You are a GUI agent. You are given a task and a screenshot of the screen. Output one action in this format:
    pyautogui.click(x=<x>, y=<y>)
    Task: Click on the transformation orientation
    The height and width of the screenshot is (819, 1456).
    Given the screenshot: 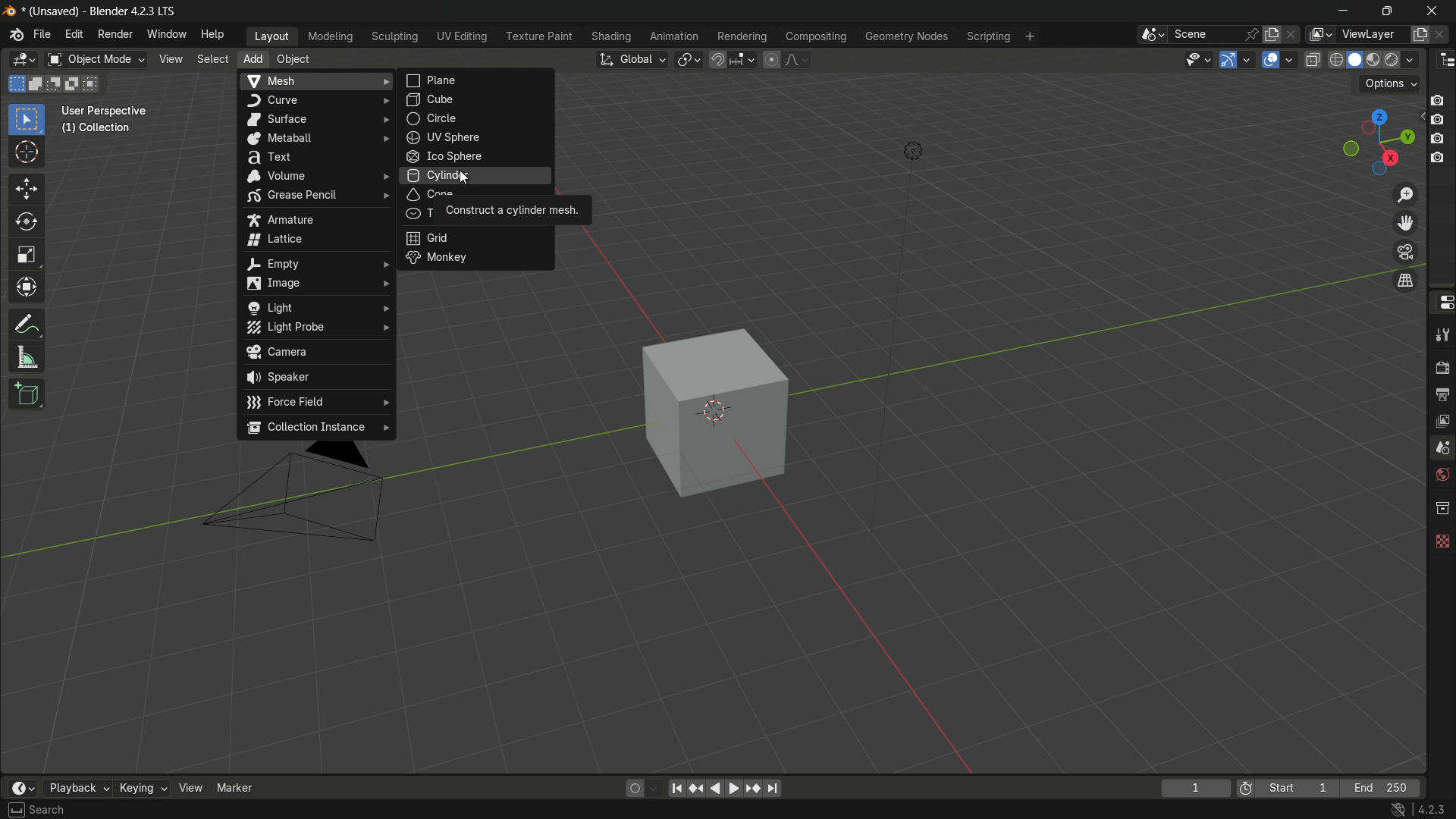 What is the action you would take?
    pyautogui.click(x=632, y=59)
    